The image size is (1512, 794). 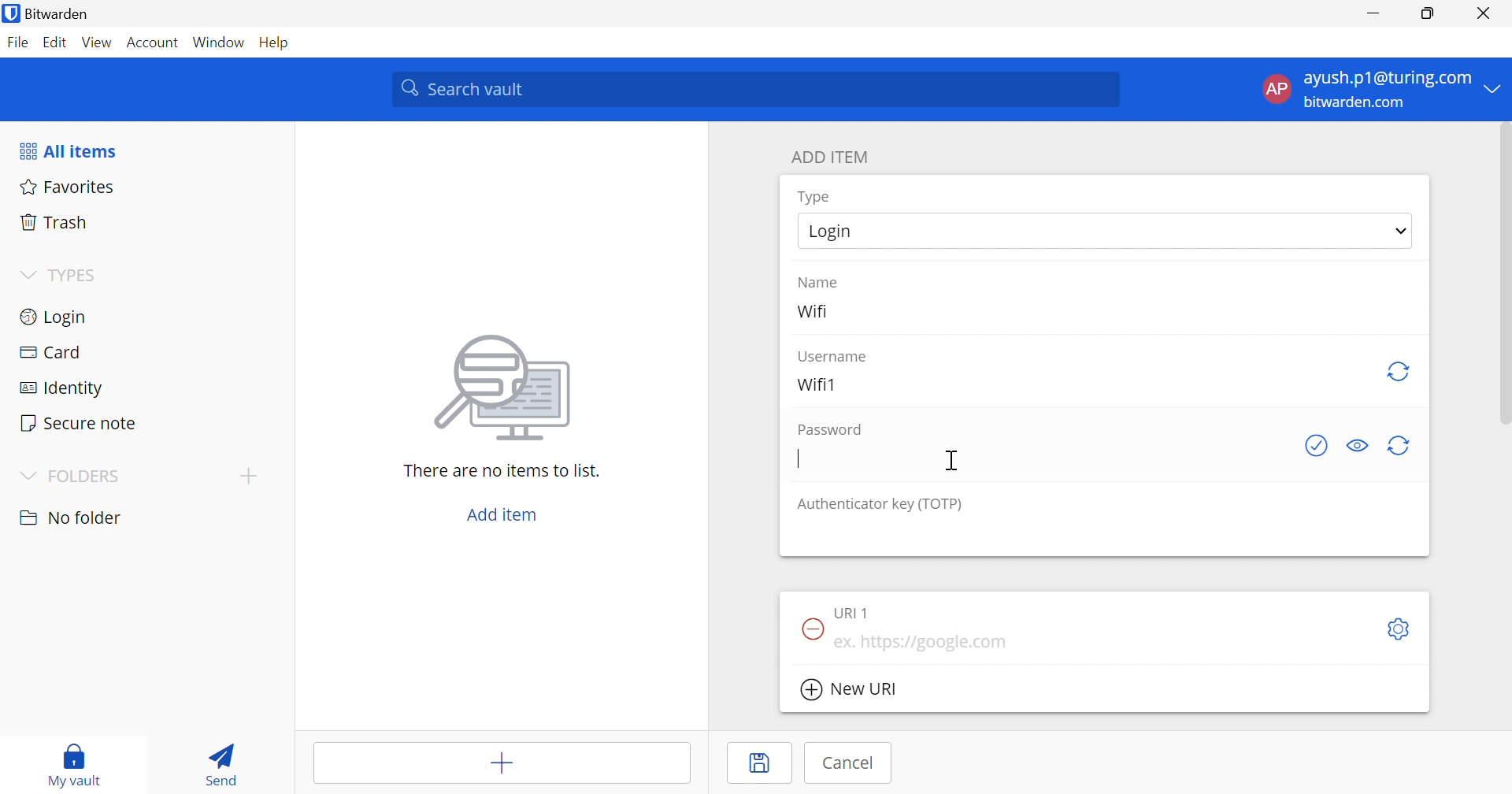 I want to click on Save, so click(x=762, y=763).